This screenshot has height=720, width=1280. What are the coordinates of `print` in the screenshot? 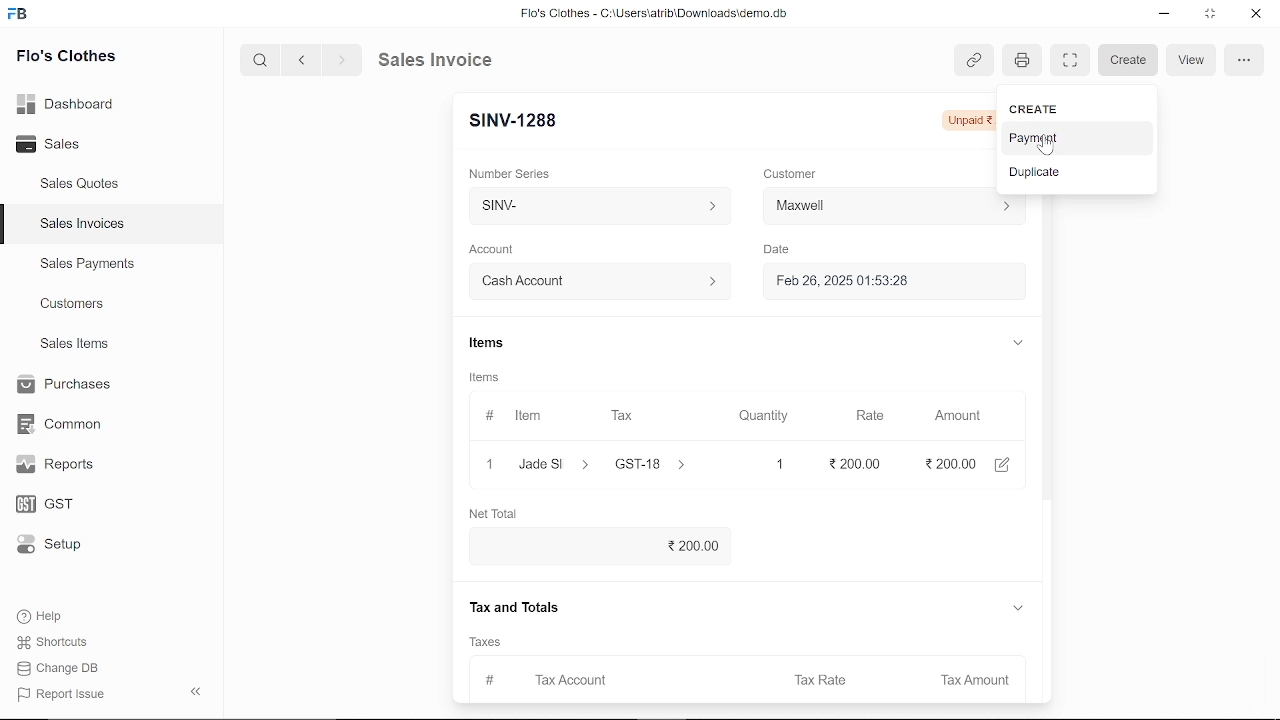 It's located at (1019, 61).